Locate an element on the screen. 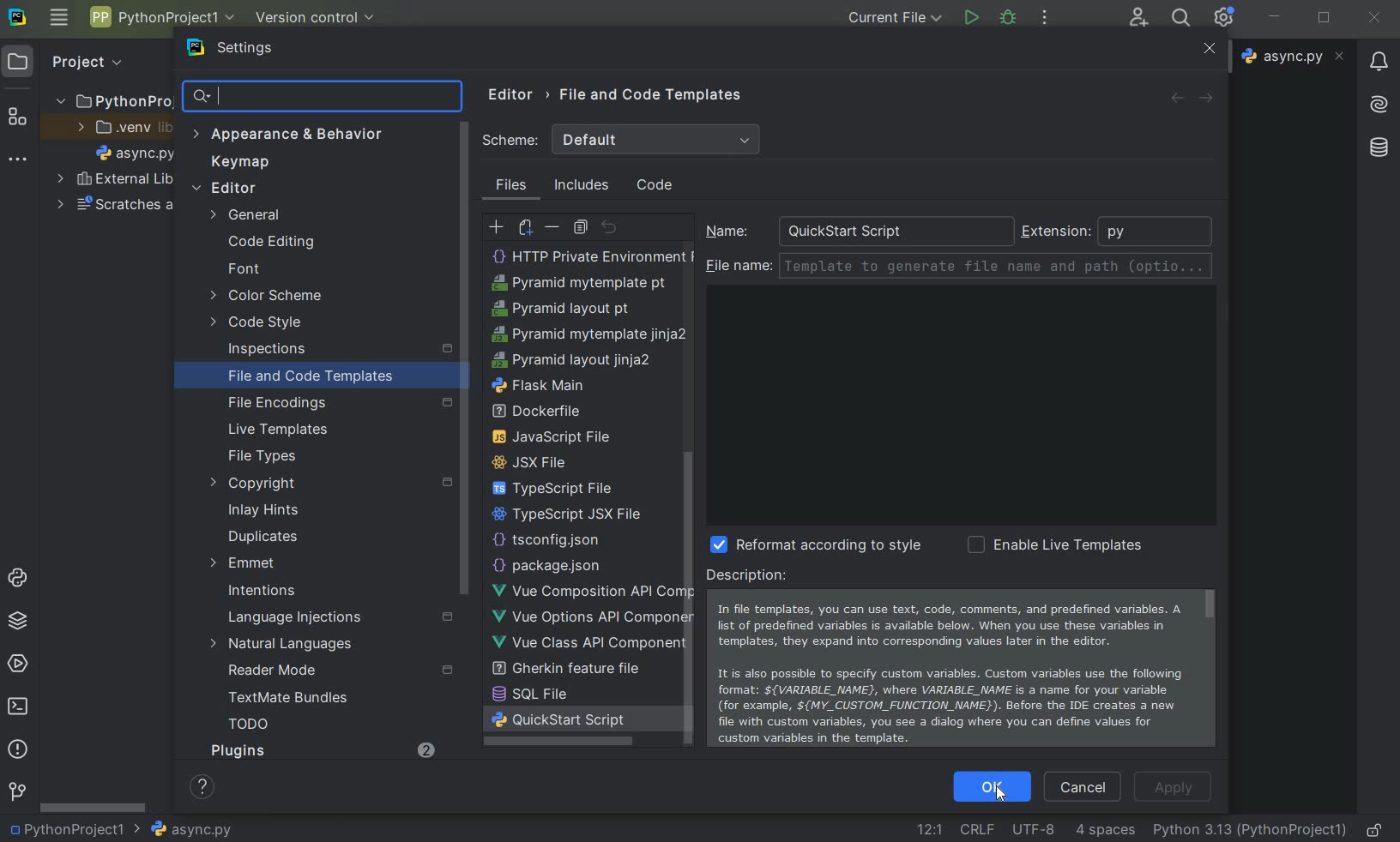 This screenshot has height=842, width=1400. revert to original template is located at coordinates (611, 227).